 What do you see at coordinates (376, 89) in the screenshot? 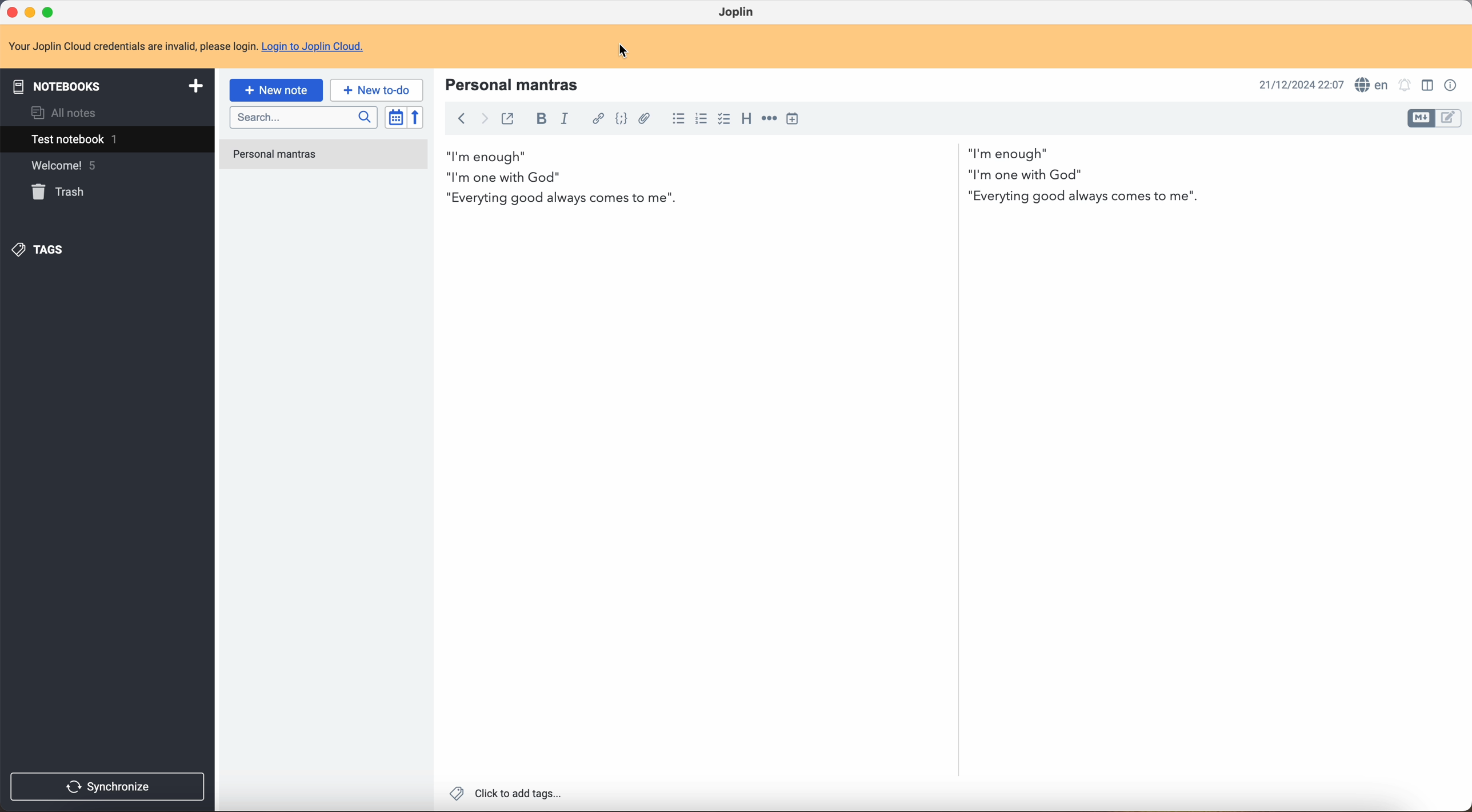
I see `new to-do` at bounding box center [376, 89].